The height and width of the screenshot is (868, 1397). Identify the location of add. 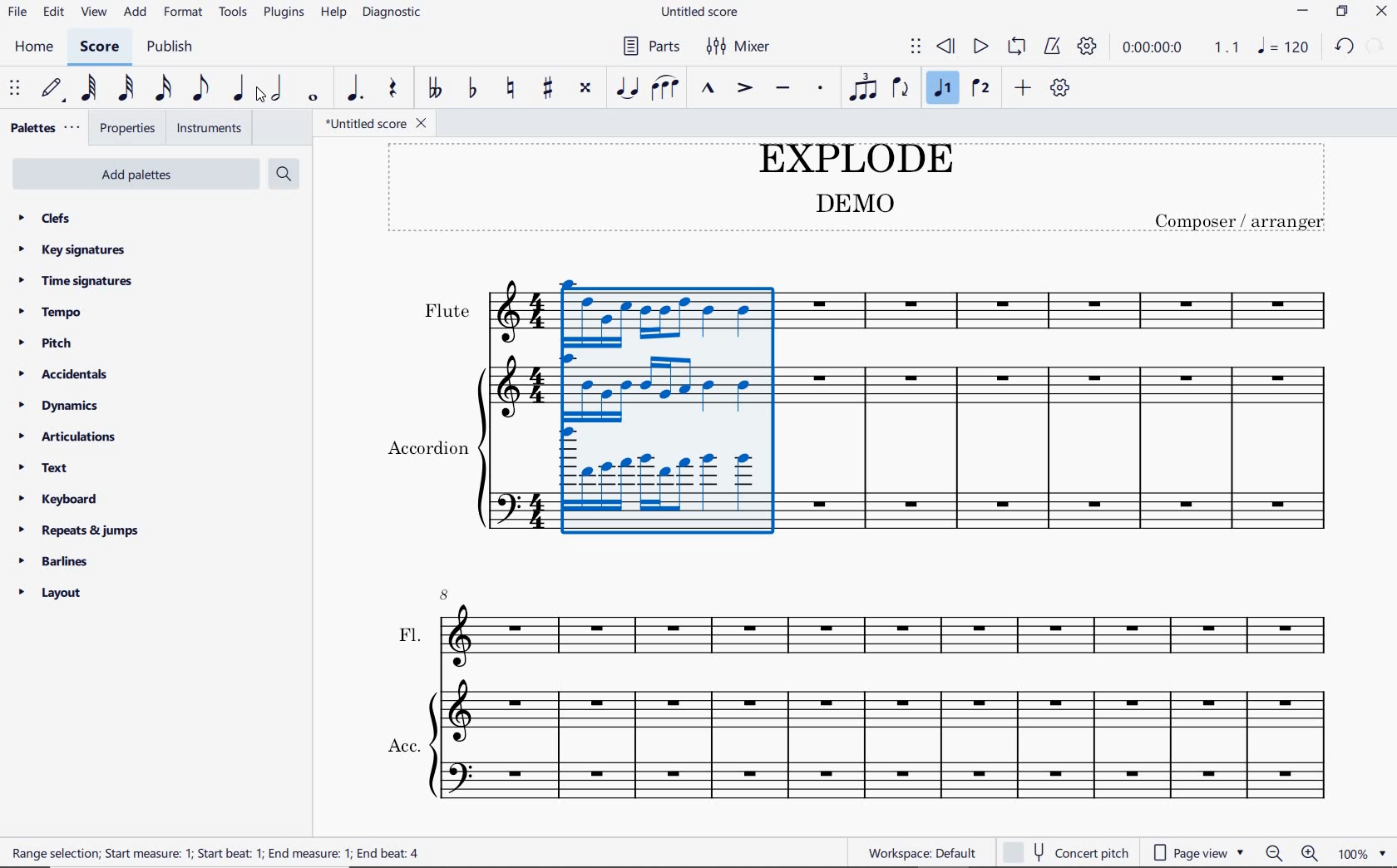
(135, 13).